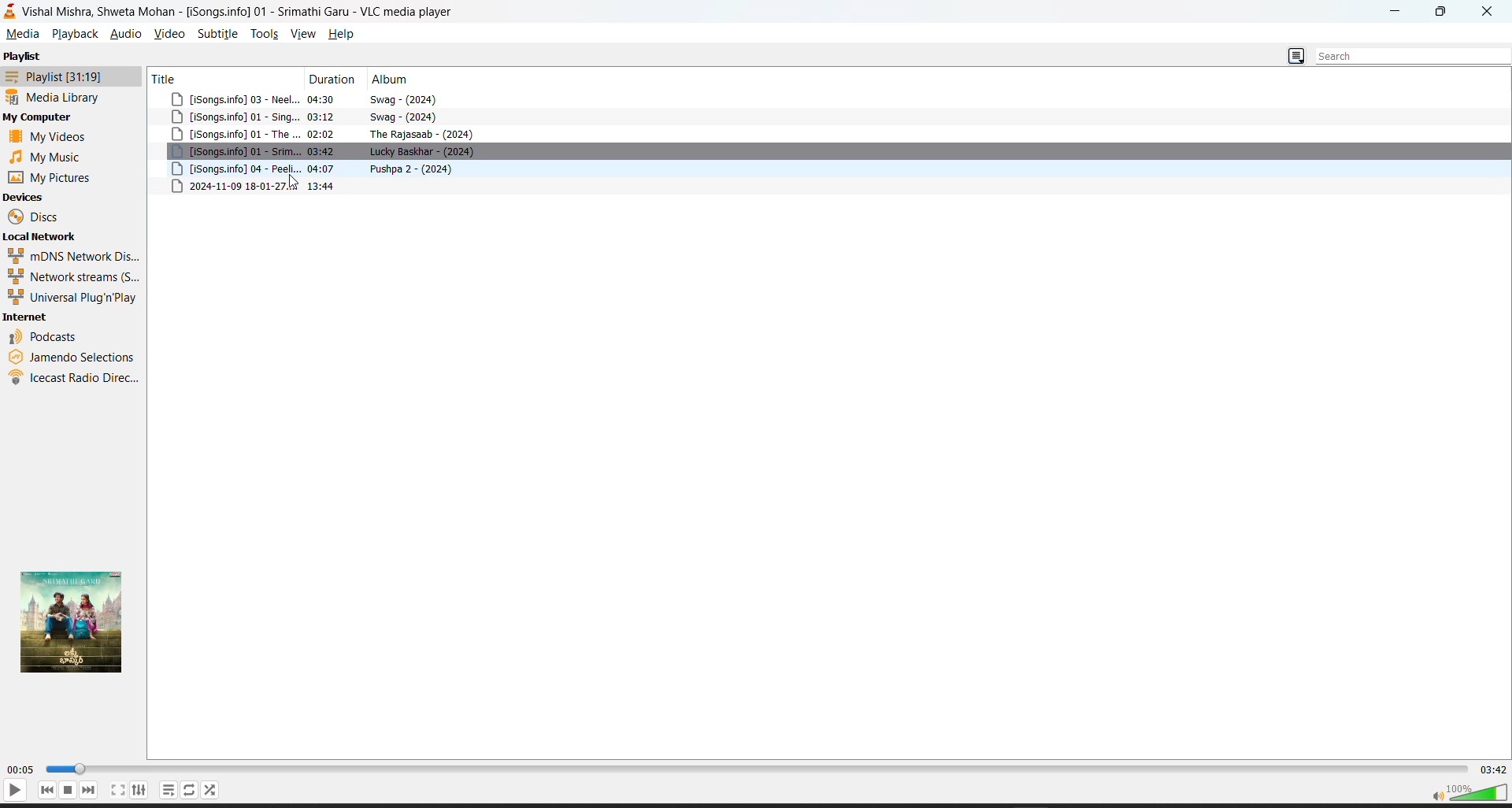 The width and height of the screenshot is (1512, 808). I want to click on songs.info 01-the, so click(234, 135).